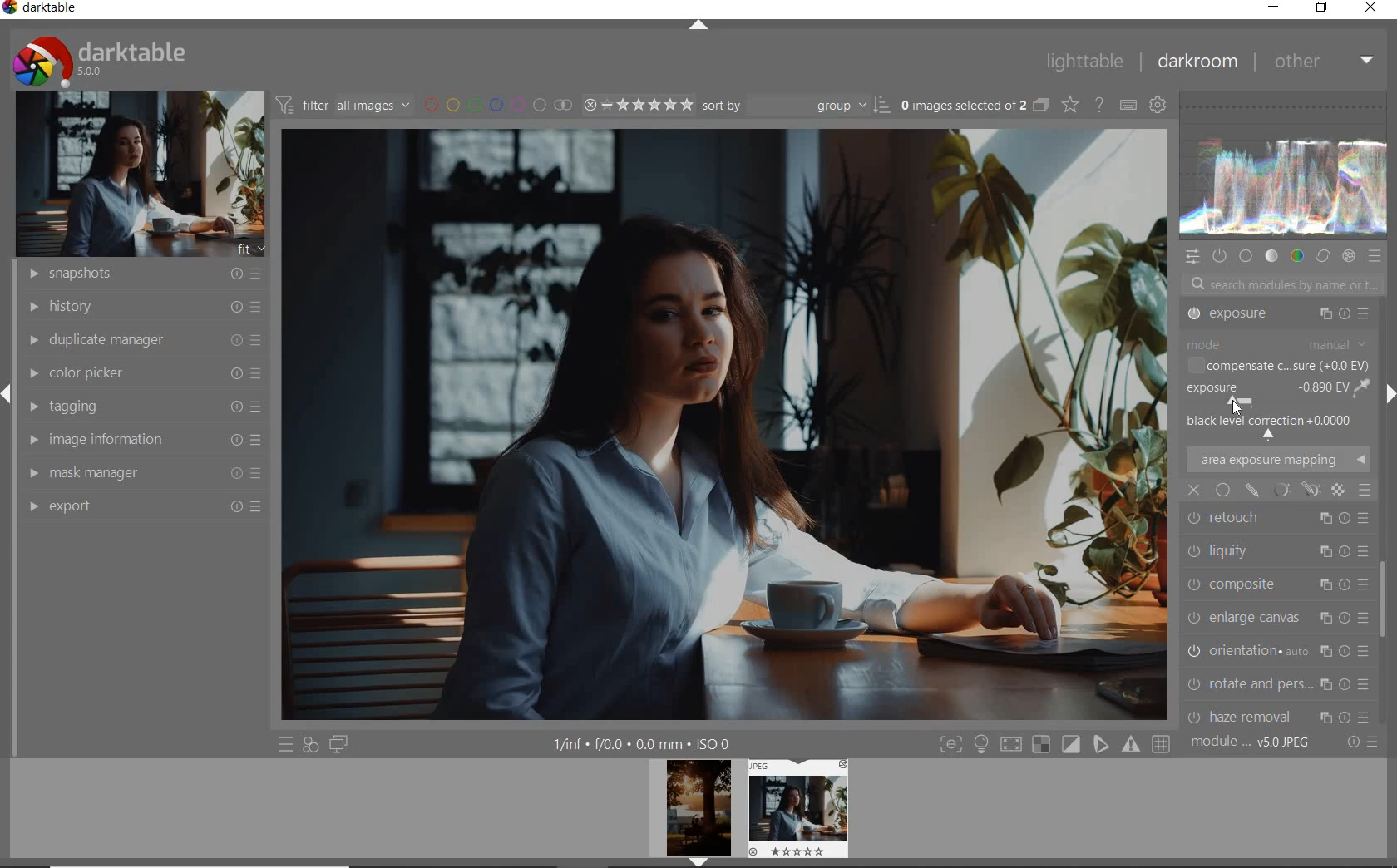 The width and height of the screenshot is (1397, 868). What do you see at coordinates (1129, 106) in the screenshot?
I see `DEFINE KEYBOARD SHORTCUT` at bounding box center [1129, 106].